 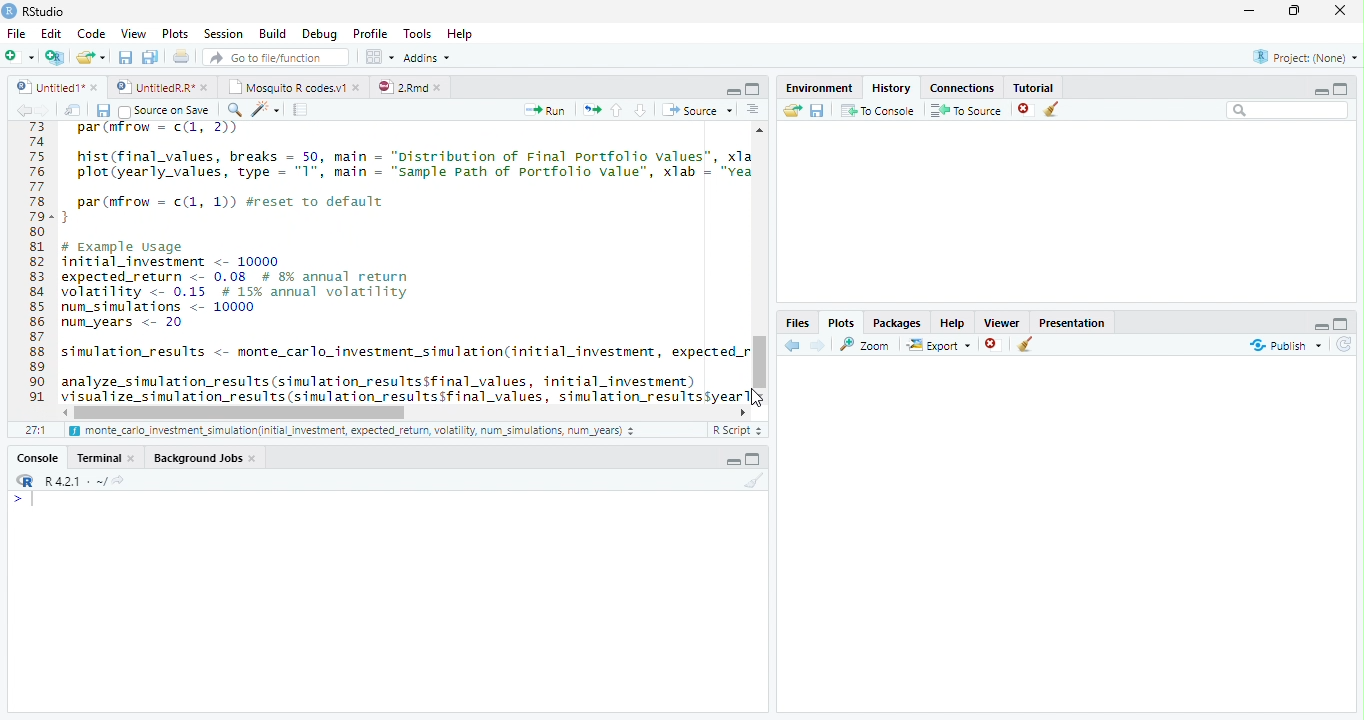 I want to click on Scroll Up, so click(x=760, y=132).